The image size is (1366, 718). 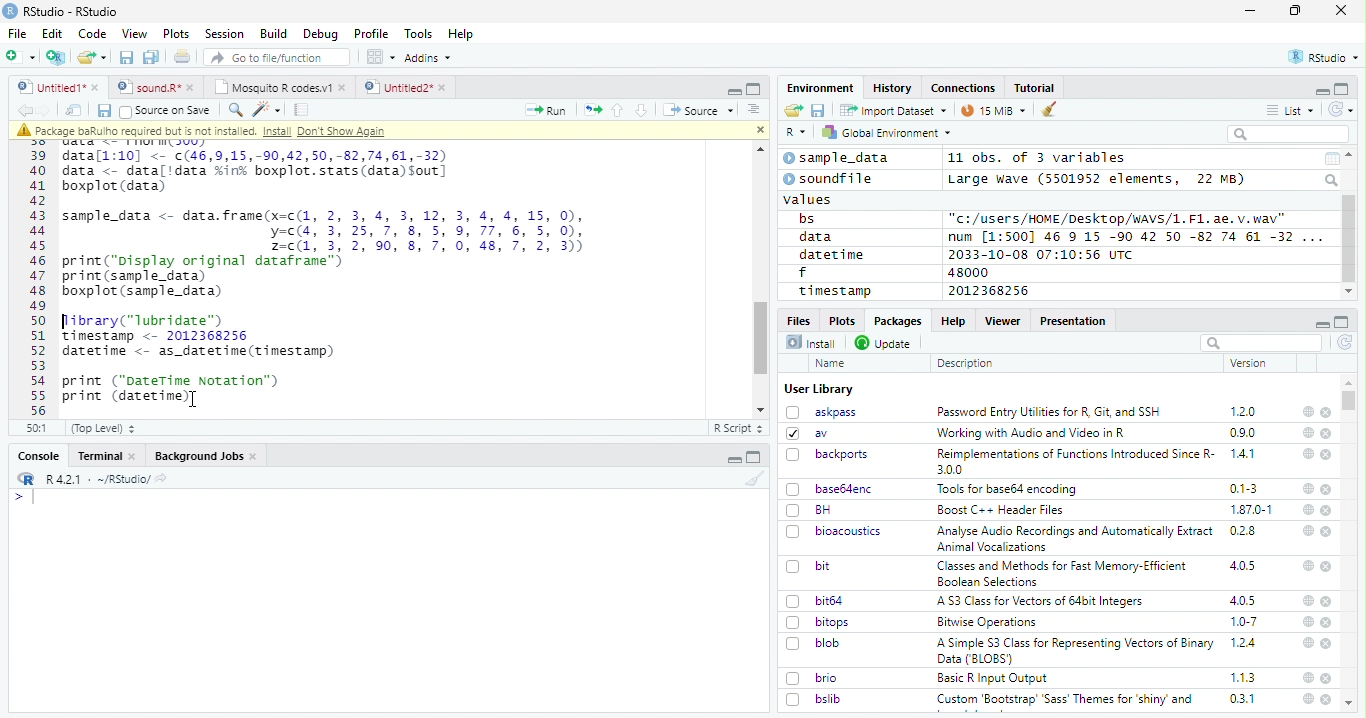 What do you see at coordinates (265, 109) in the screenshot?
I see `Code tools` at bounding box center [265, 109].